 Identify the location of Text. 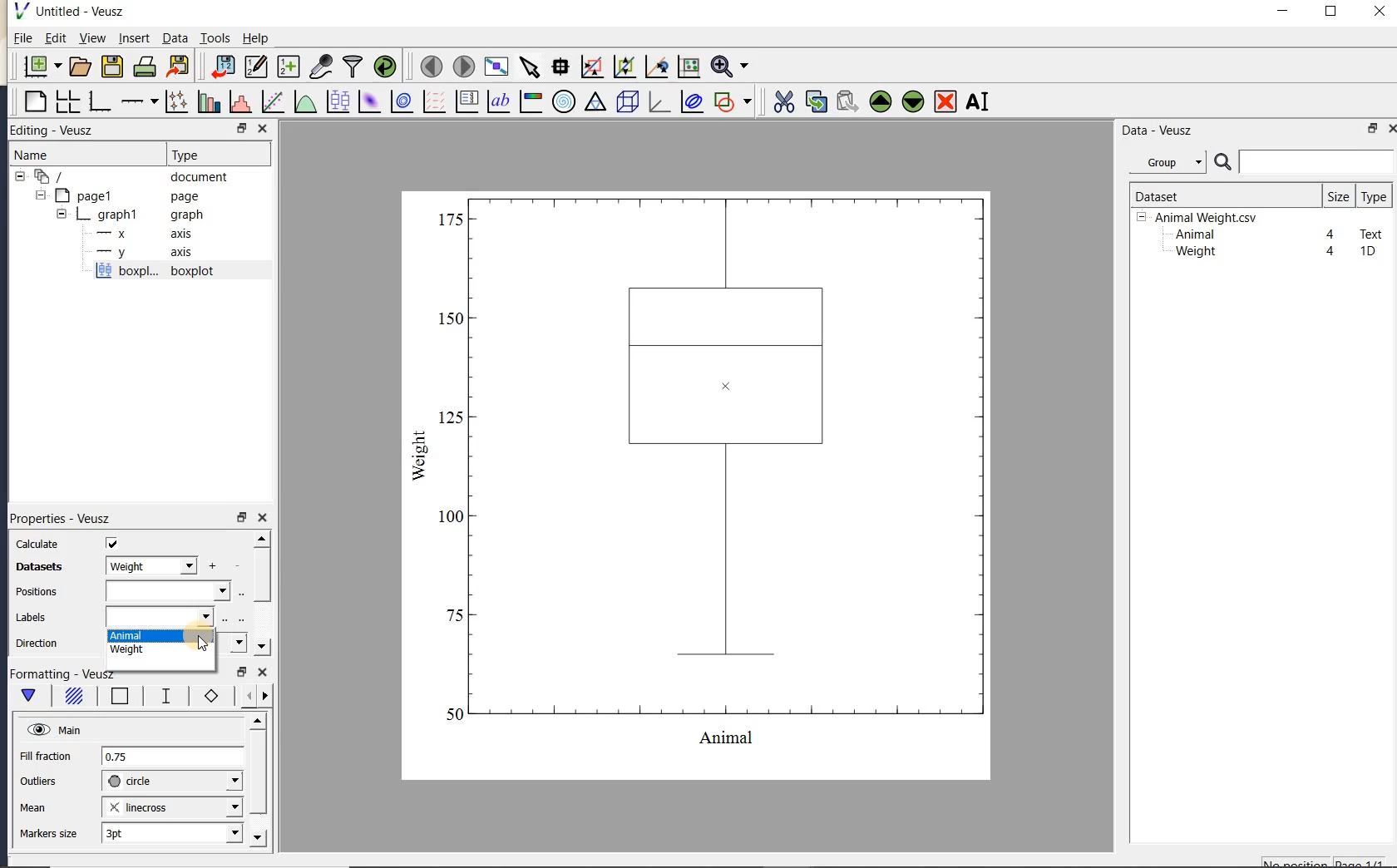
(1372, 232).